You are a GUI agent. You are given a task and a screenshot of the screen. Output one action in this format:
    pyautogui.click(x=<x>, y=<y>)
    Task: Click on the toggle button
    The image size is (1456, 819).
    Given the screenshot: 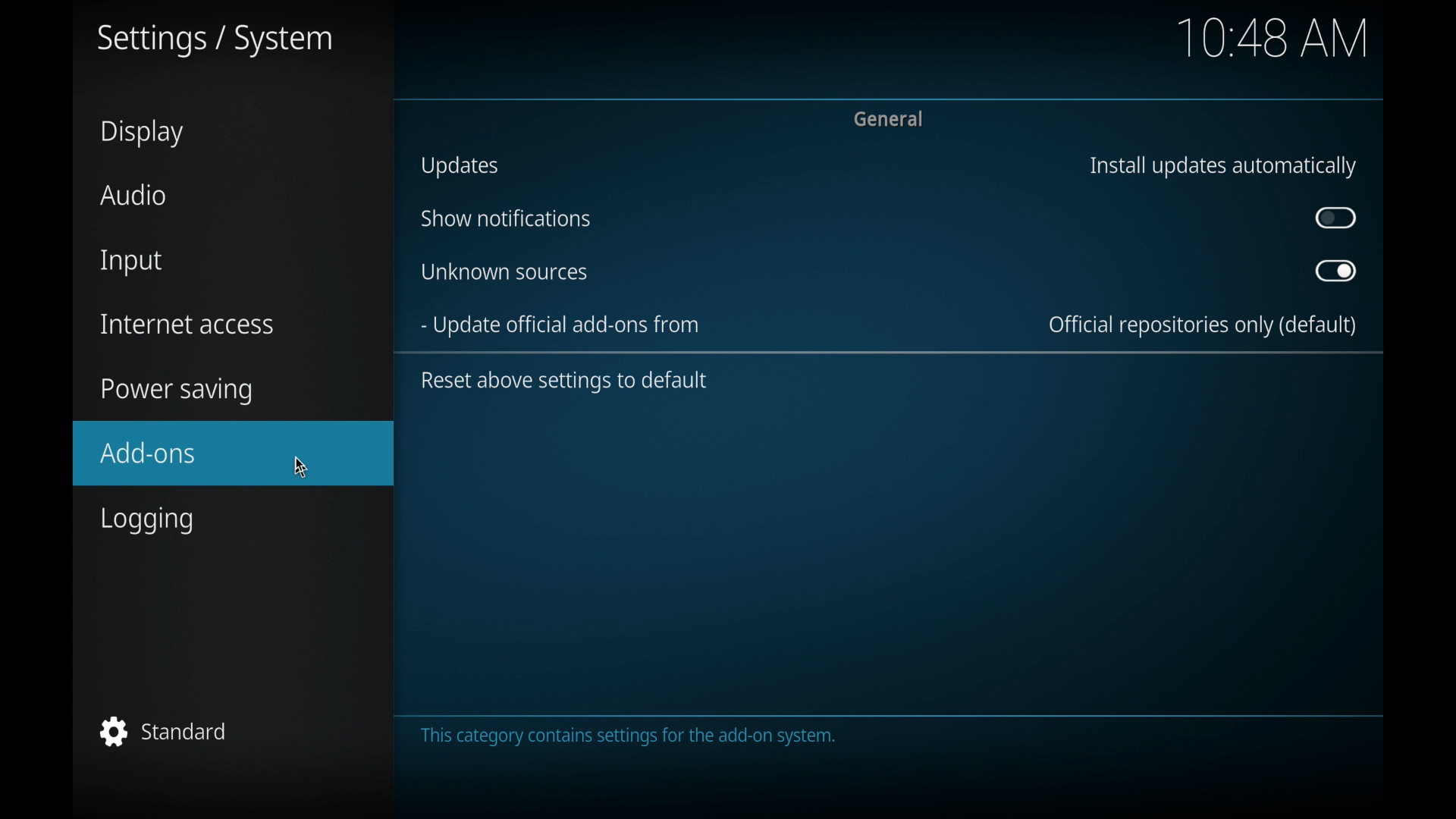 What is the action you would take?
    pyautogui.click(x=1336, y=218)
    